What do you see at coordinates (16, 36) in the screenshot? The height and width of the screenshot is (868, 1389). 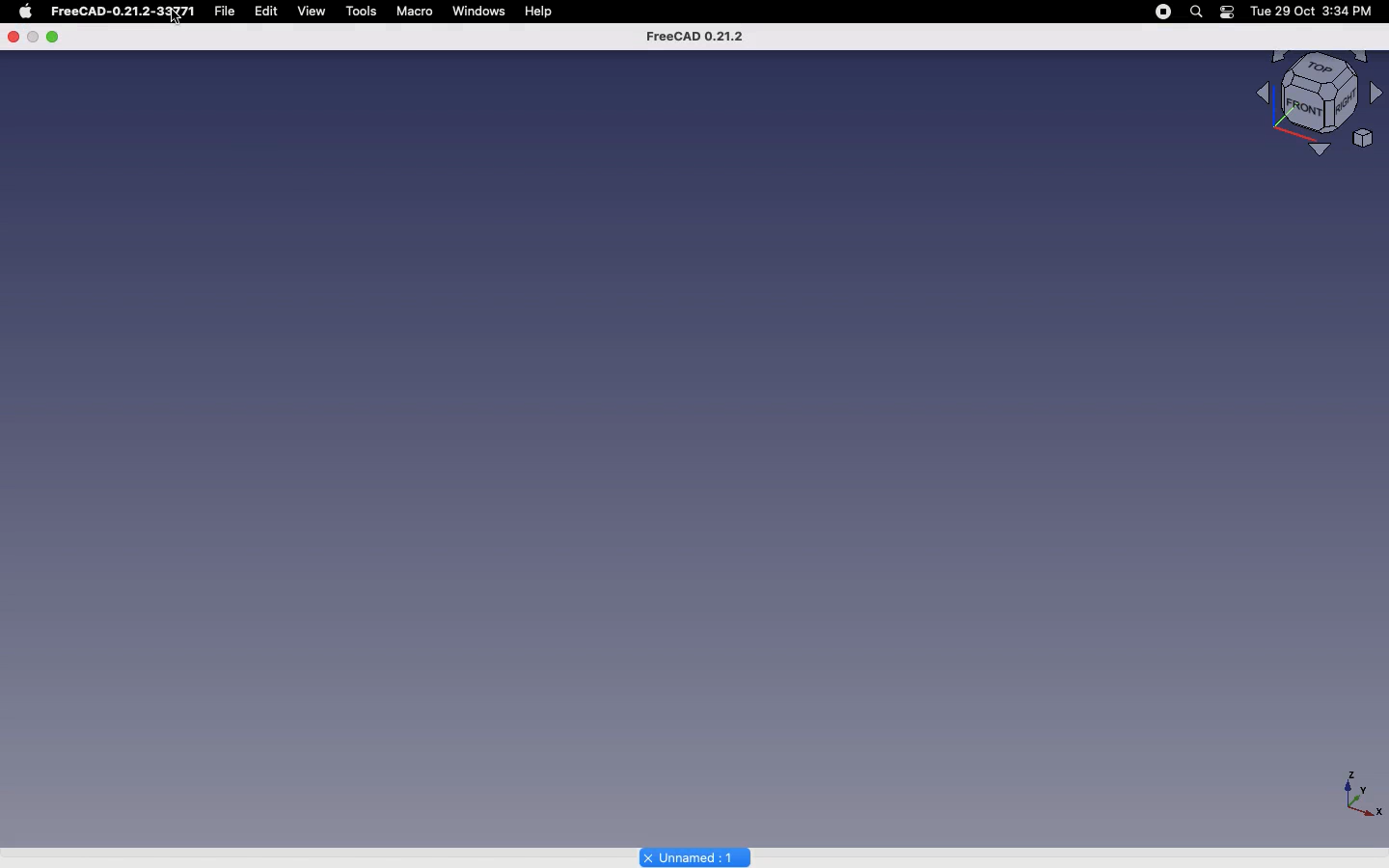 I see `Close` at bounding box center [16, 36].